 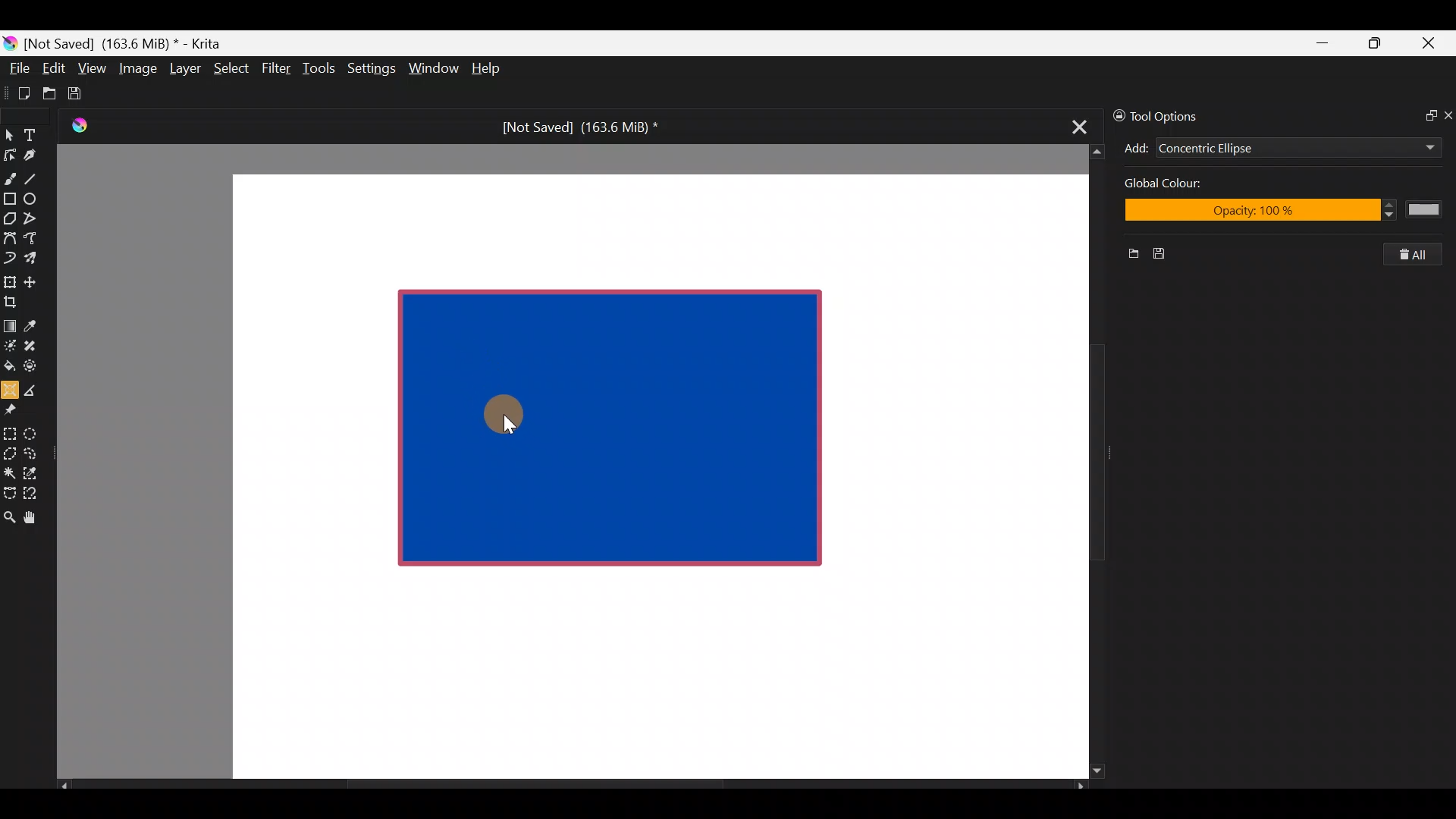 I want to click on Crop the image to an area, so click(x=15, y=301).